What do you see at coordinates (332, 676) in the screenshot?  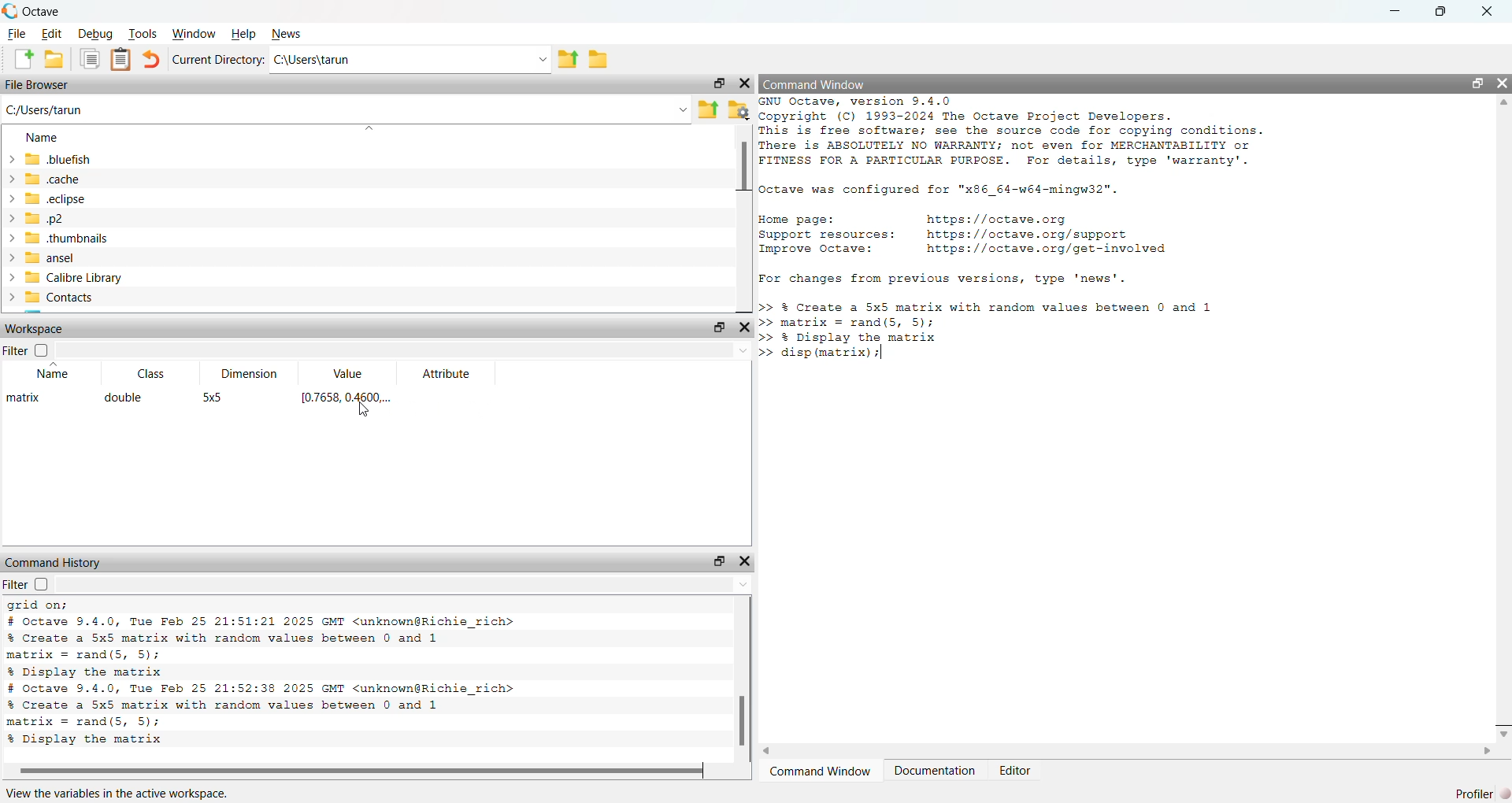 I see `xlabel('x values’);

ylabel ('y values');

% Display grid

grid on;

# octave 9.4.0, Tue Feb 25 21:51:21 2025 GMT <unknown@Richie_rich>
% Create a 5x5 matrix with random values between 0 and 1

matrix = rand(S, 5);

% Display the matrix

# octave 9.4.0, Tue Feb 25 21:52:38 2025 GMT <unknown@Richie_rich>` at bounding box center [332, 676].